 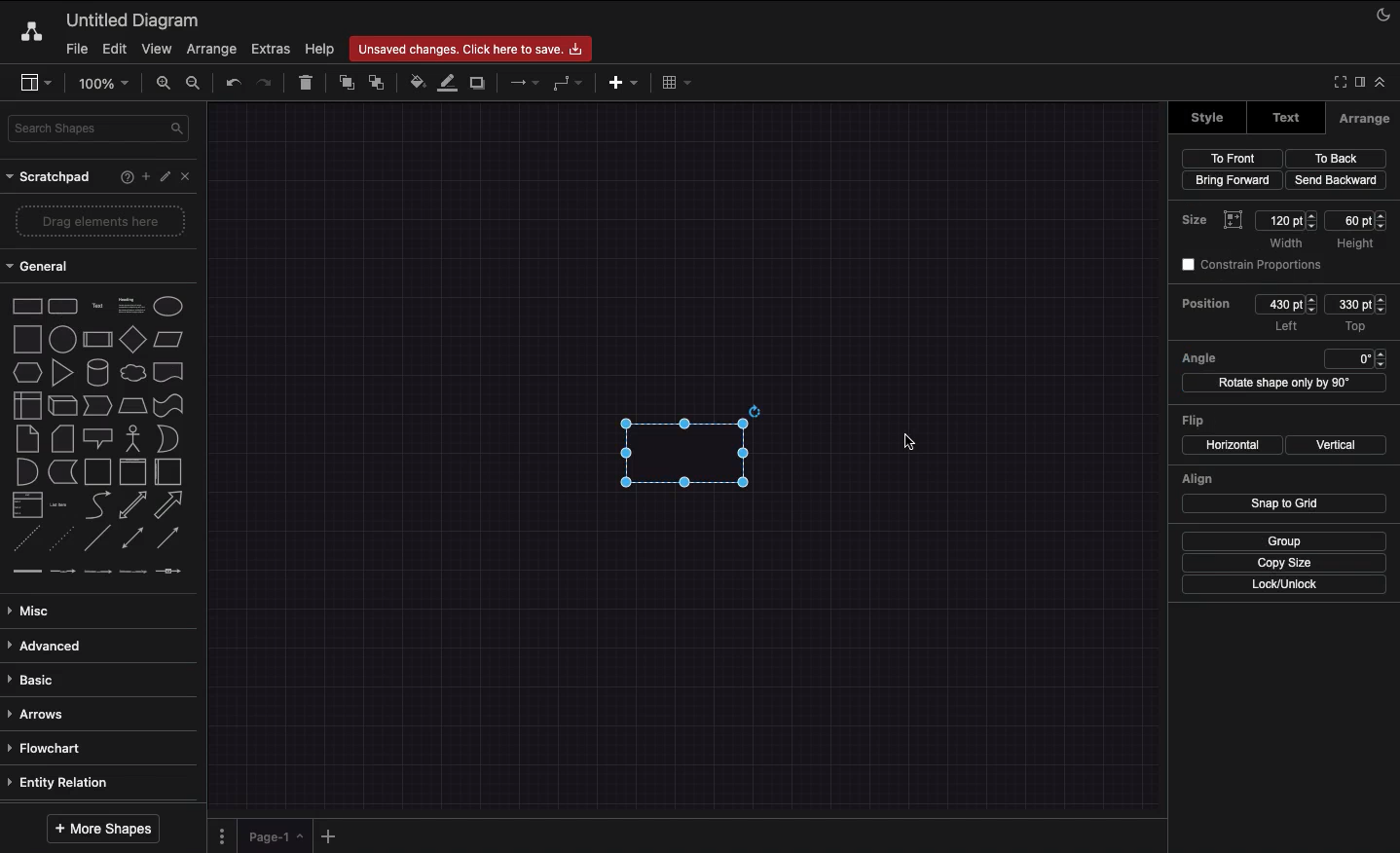 I want to click on View, so click(x=160, y=50).